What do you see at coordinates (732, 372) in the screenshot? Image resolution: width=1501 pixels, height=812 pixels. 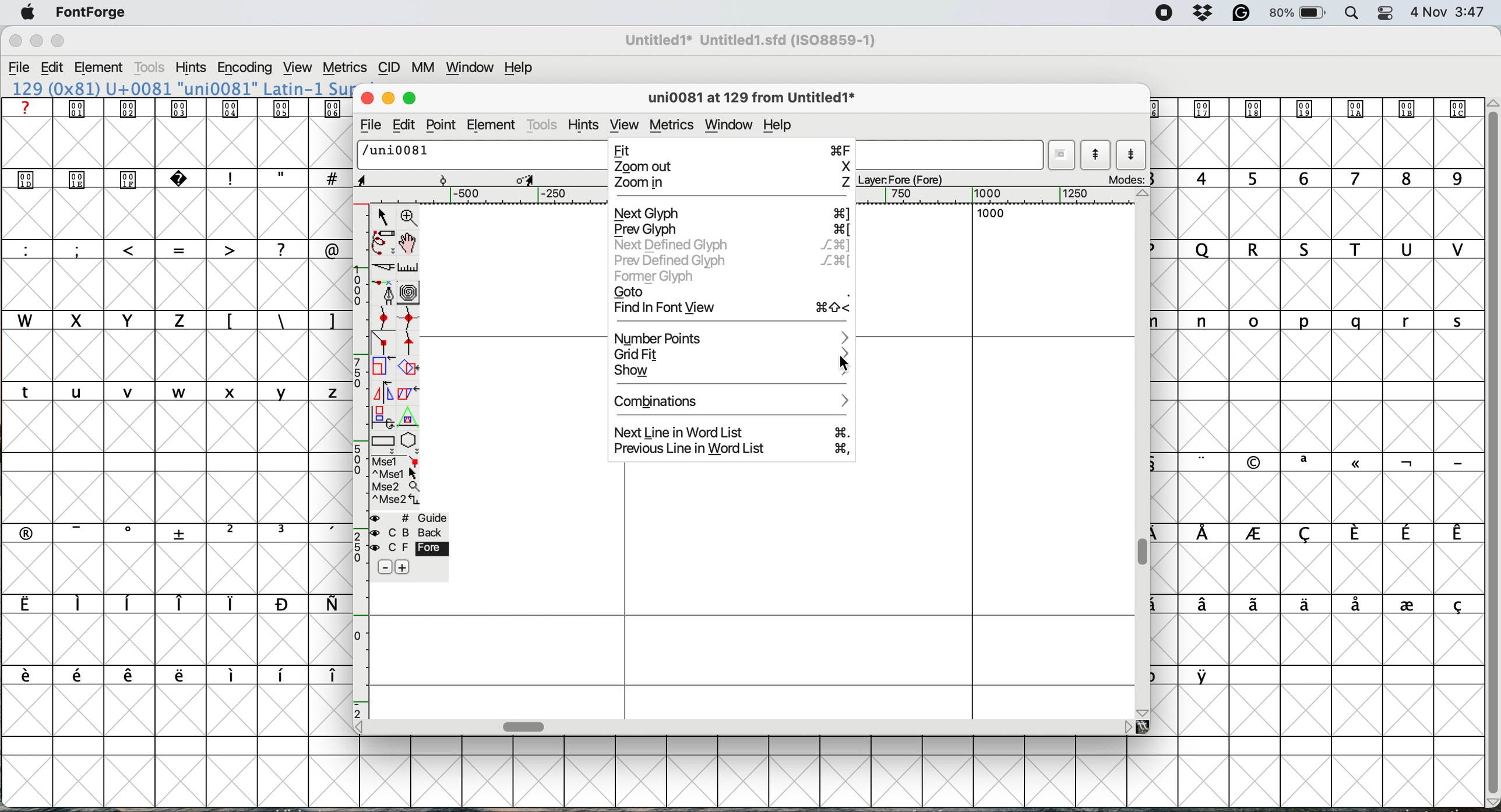 I see `show` at bounding box center [732, 372].